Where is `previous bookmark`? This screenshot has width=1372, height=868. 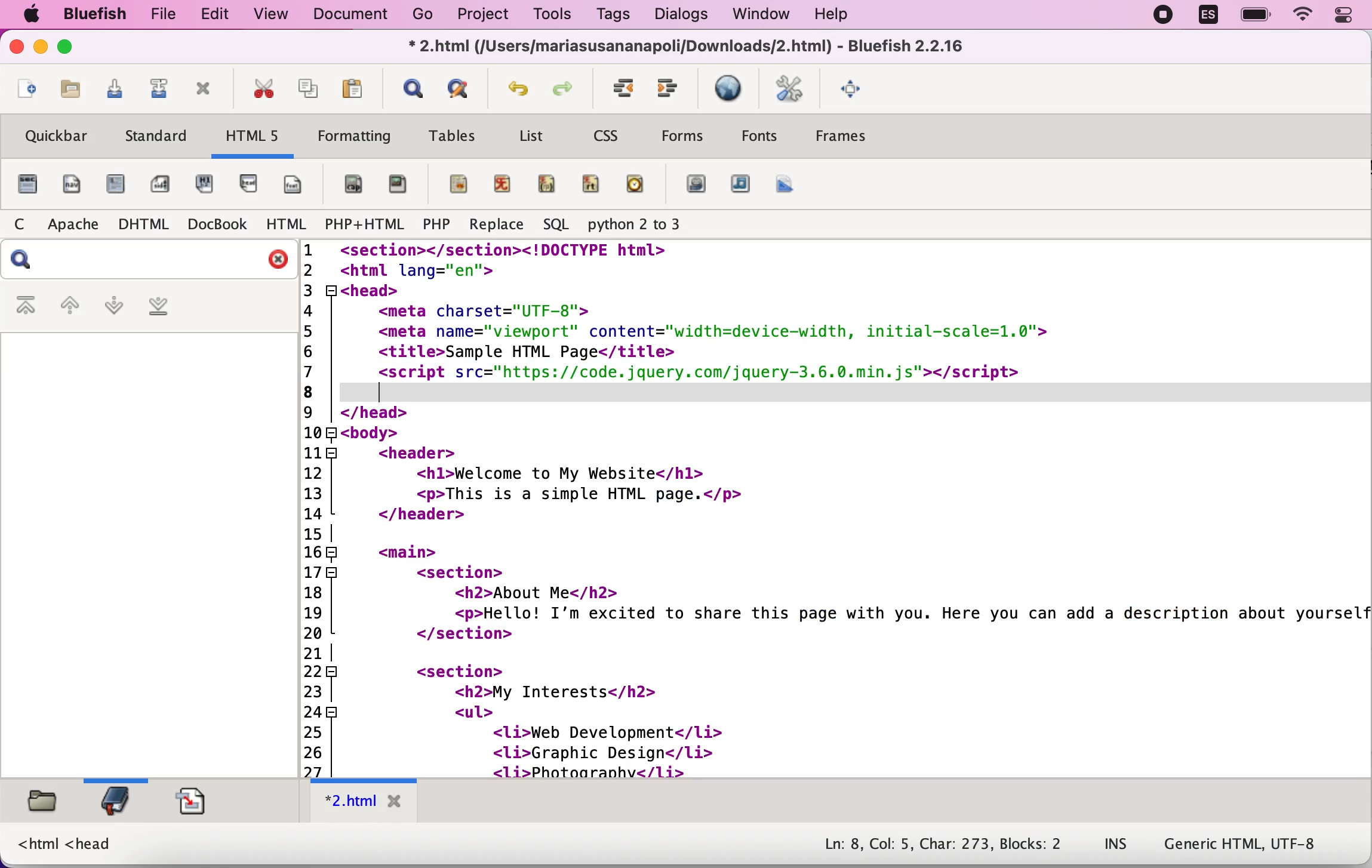 previous bookmark is located at coordinates (69, 306).